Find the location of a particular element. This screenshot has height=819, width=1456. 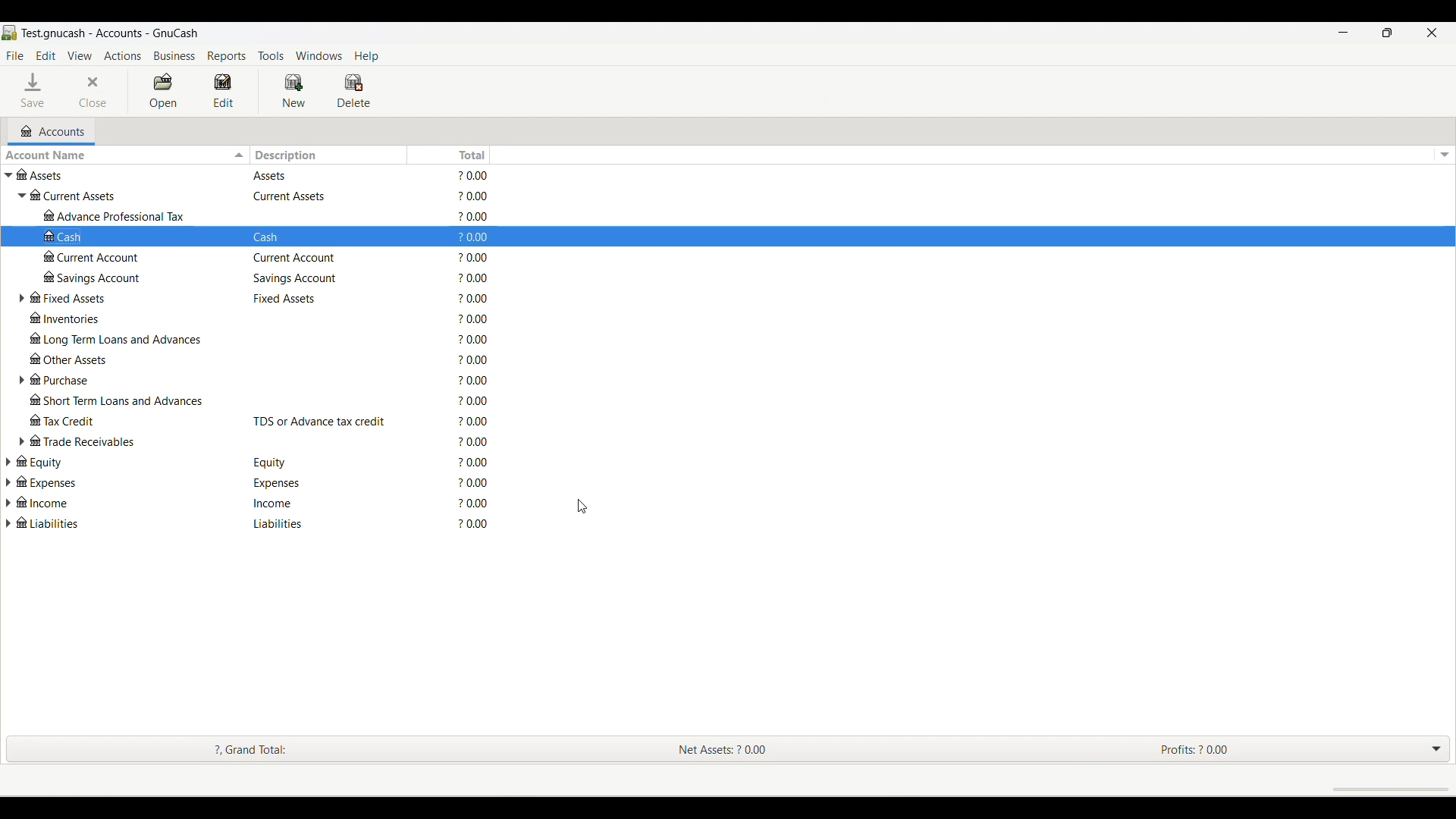

Description column is located at coordinates (325, 155).